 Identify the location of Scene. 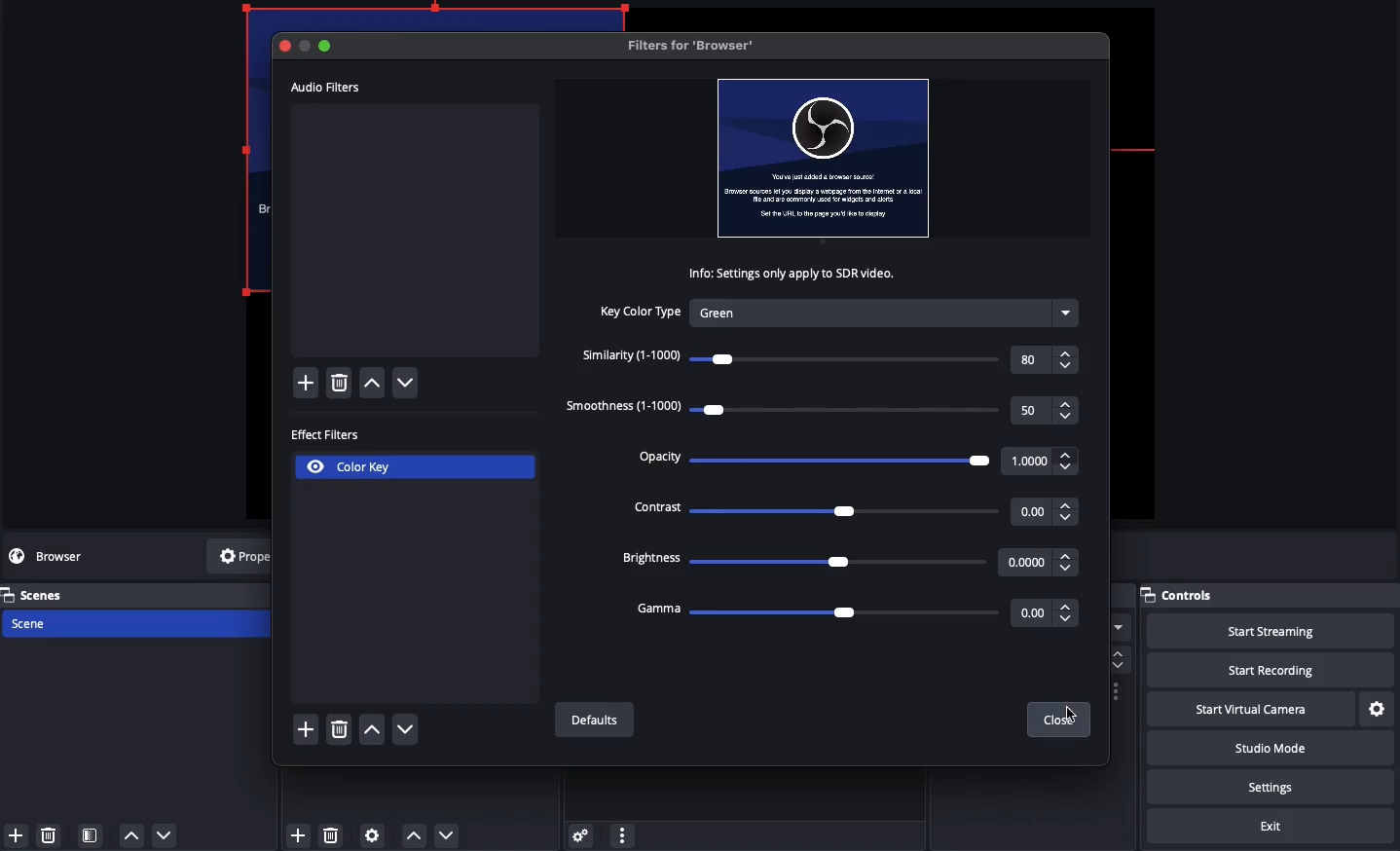
(40, 622).